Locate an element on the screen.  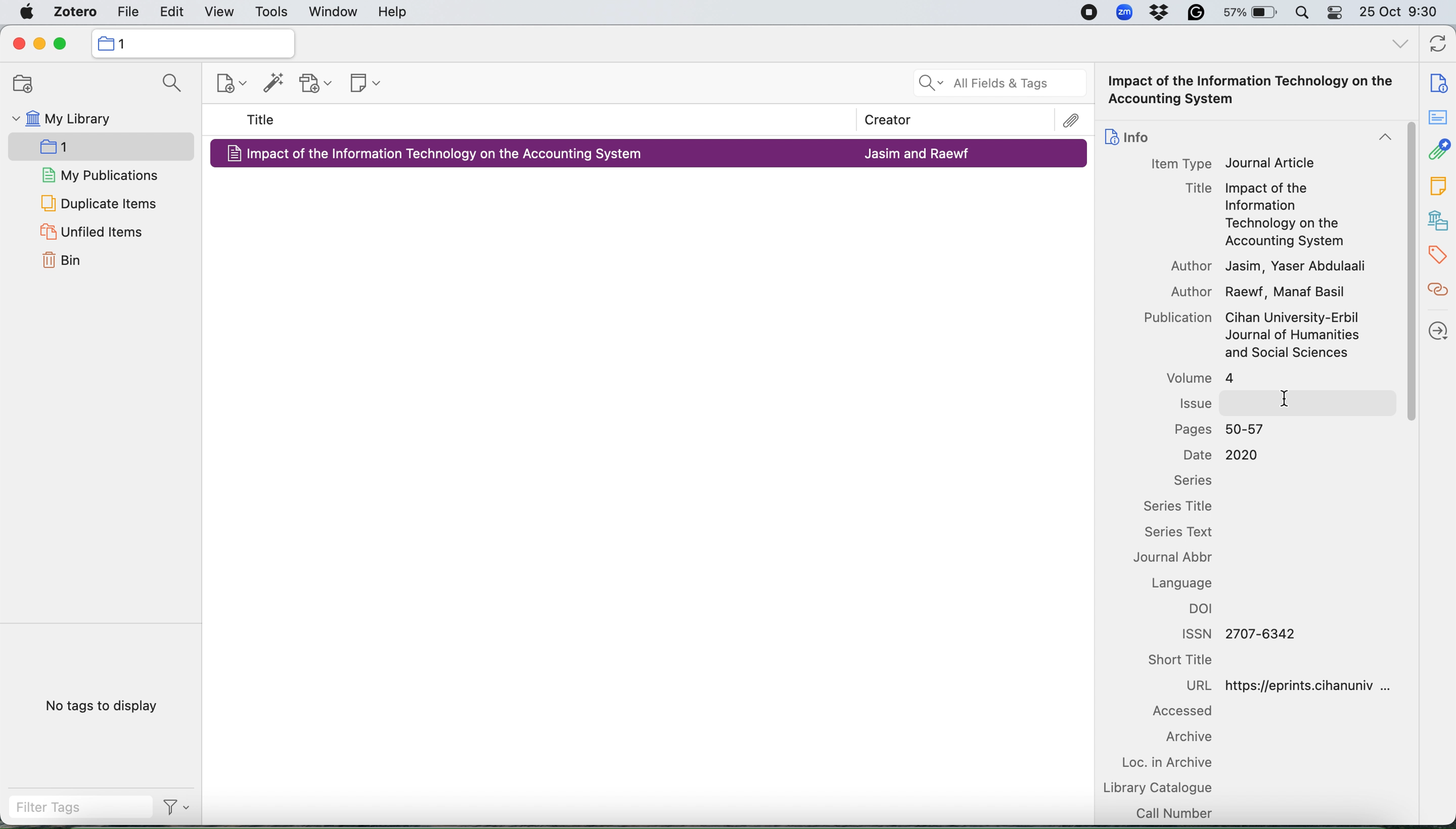
info is located at coordinates (1433, 79).